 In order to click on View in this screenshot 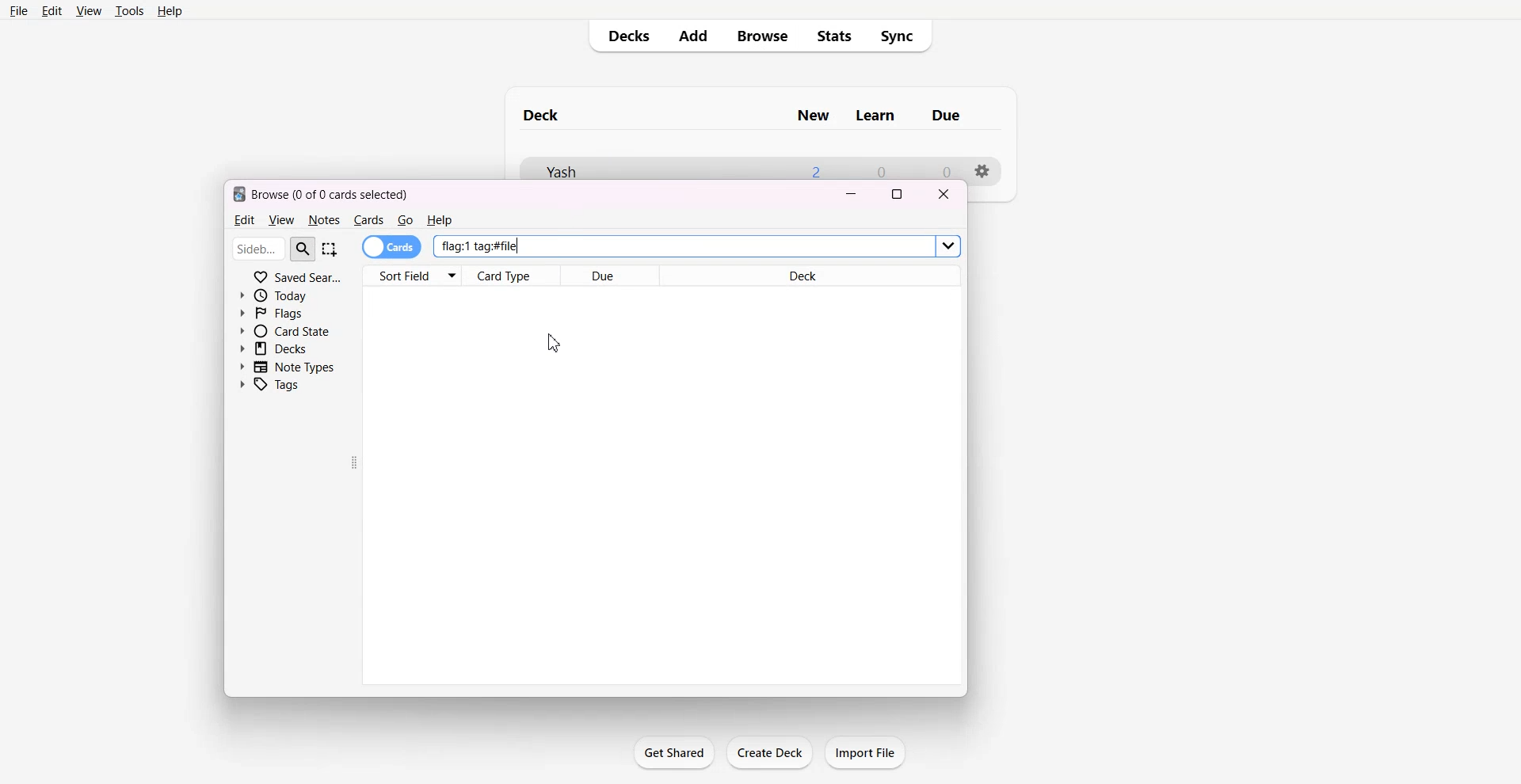, I will do `click(88, 10)`.